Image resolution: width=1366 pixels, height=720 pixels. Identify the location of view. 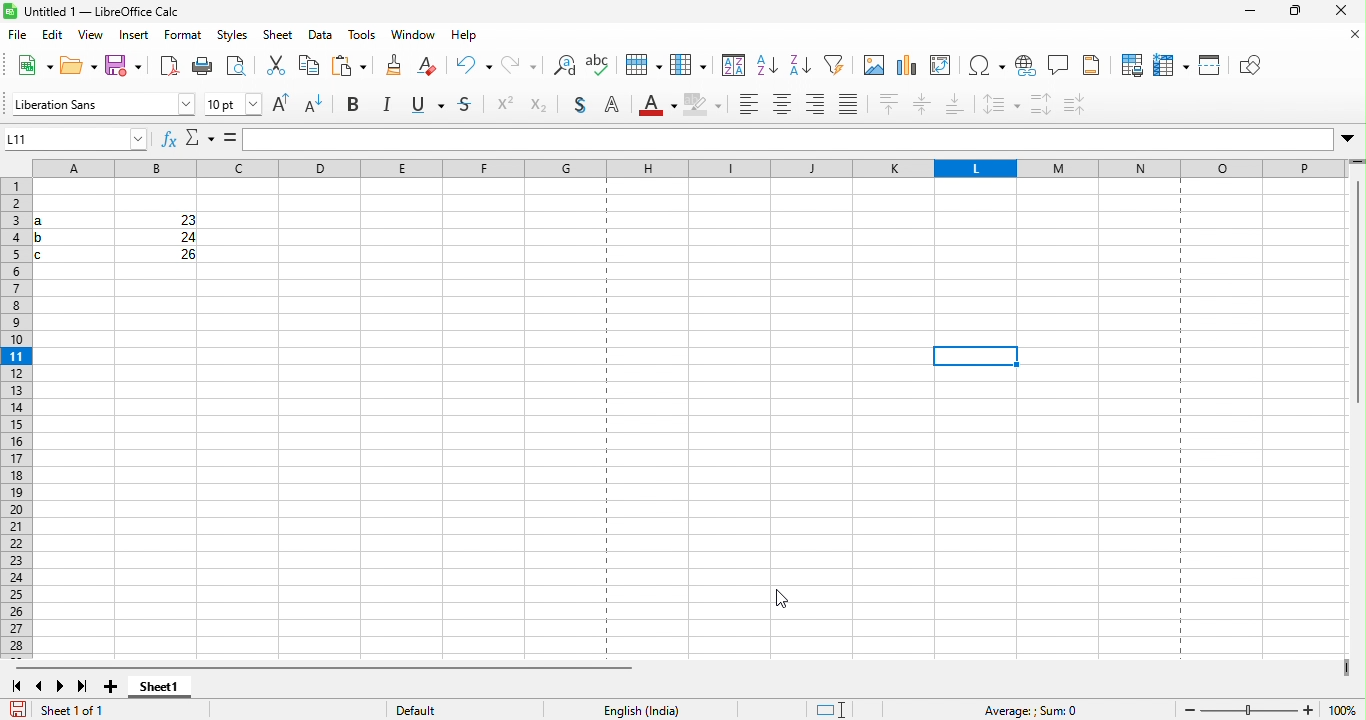
(92, 38).